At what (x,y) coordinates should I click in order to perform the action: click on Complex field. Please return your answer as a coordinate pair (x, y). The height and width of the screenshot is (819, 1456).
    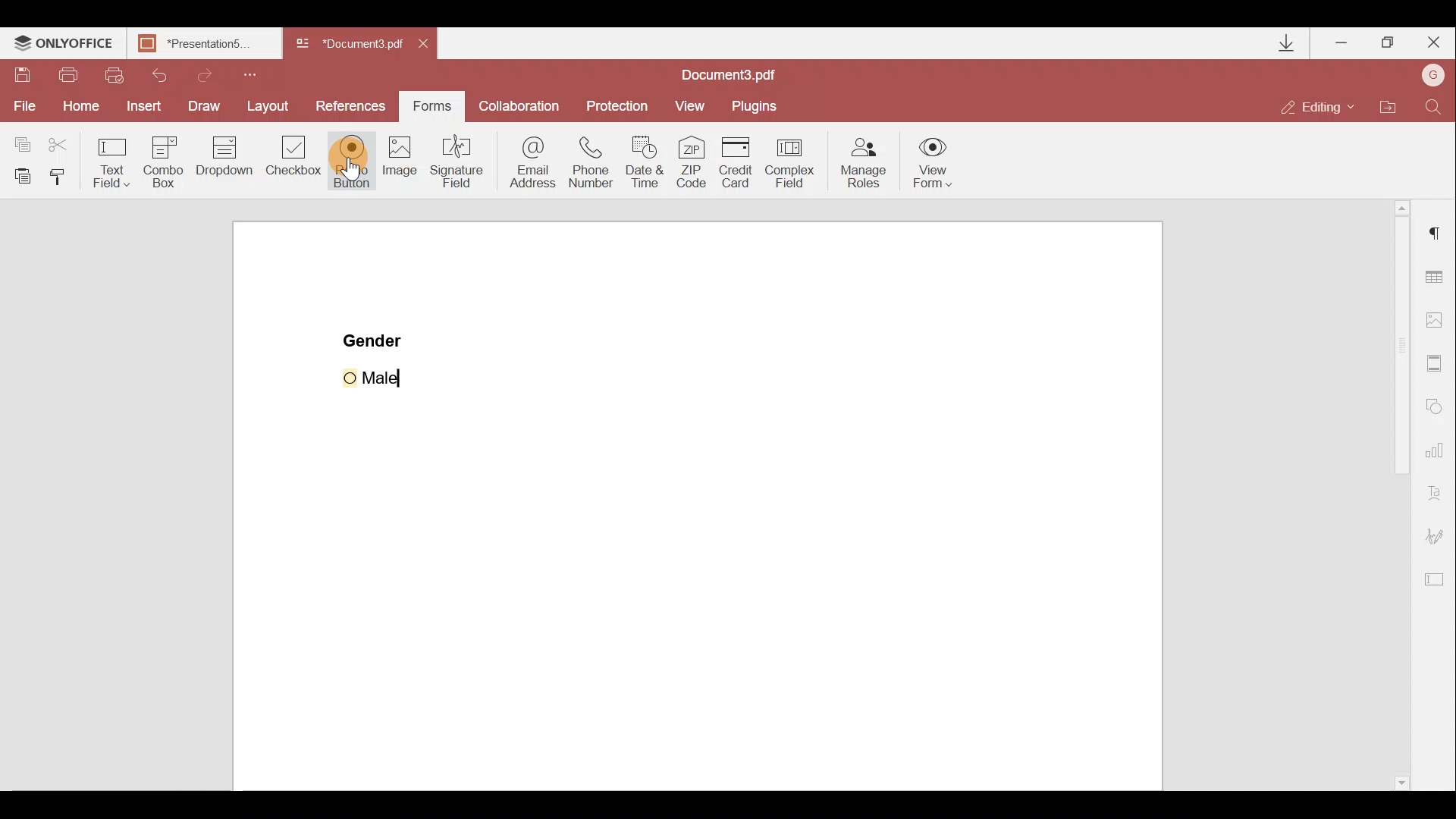
    Looking at the image, I should click on (795, 160).